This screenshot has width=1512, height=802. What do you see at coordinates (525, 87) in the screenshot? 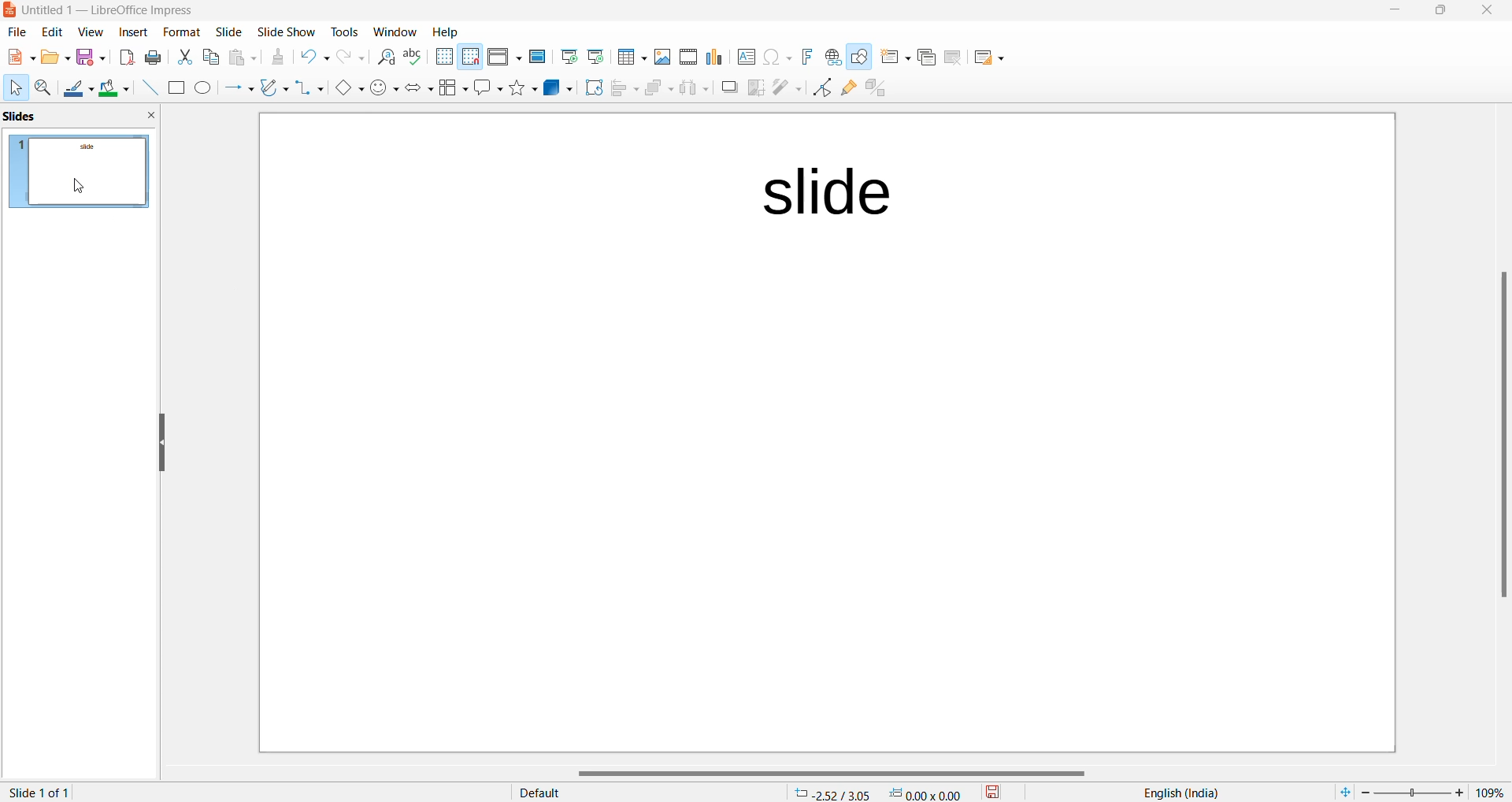
I see `shapes` at bounding box center [525, 87].